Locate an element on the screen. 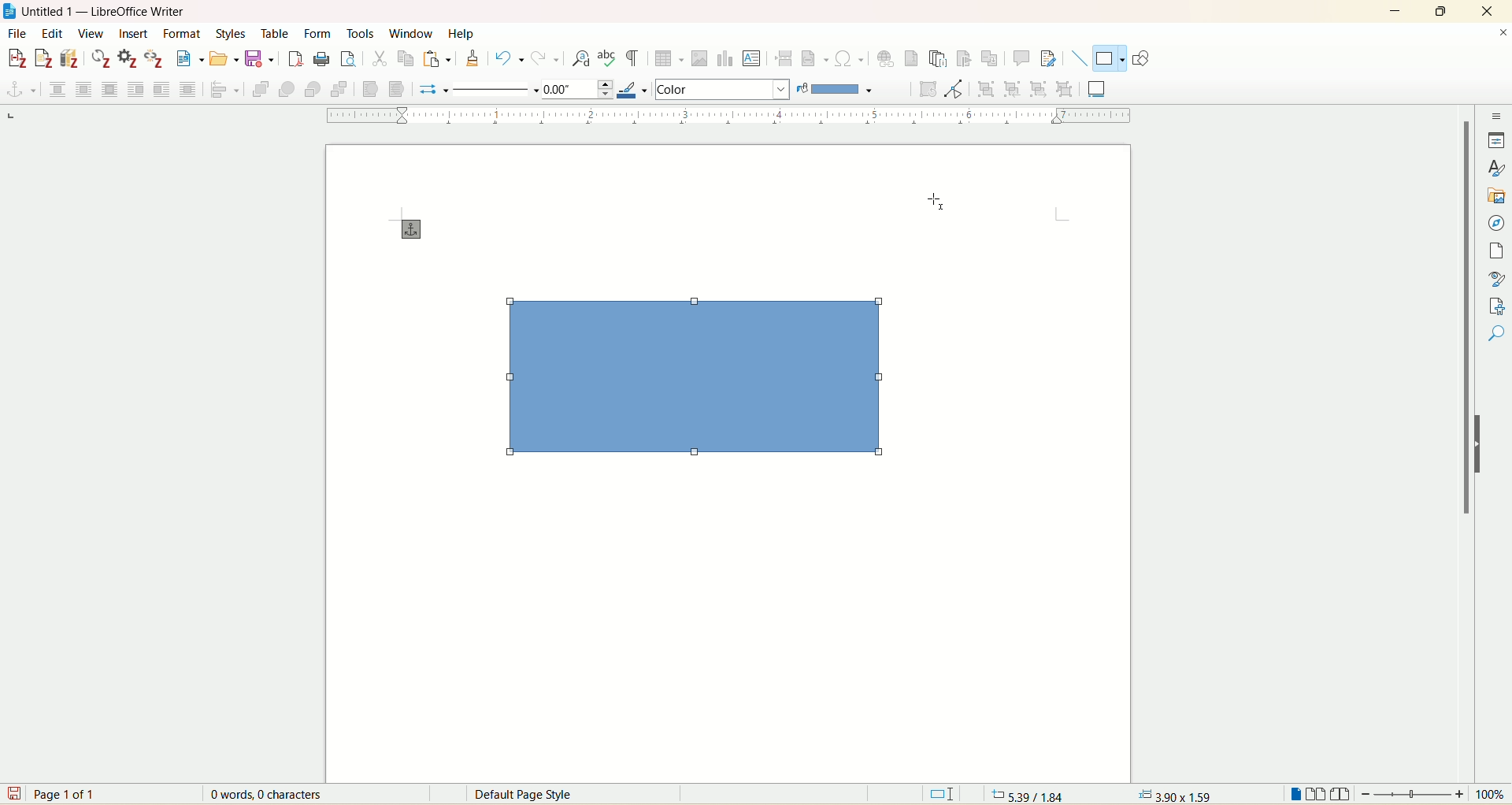  paste is located at coordinates (437, 59).